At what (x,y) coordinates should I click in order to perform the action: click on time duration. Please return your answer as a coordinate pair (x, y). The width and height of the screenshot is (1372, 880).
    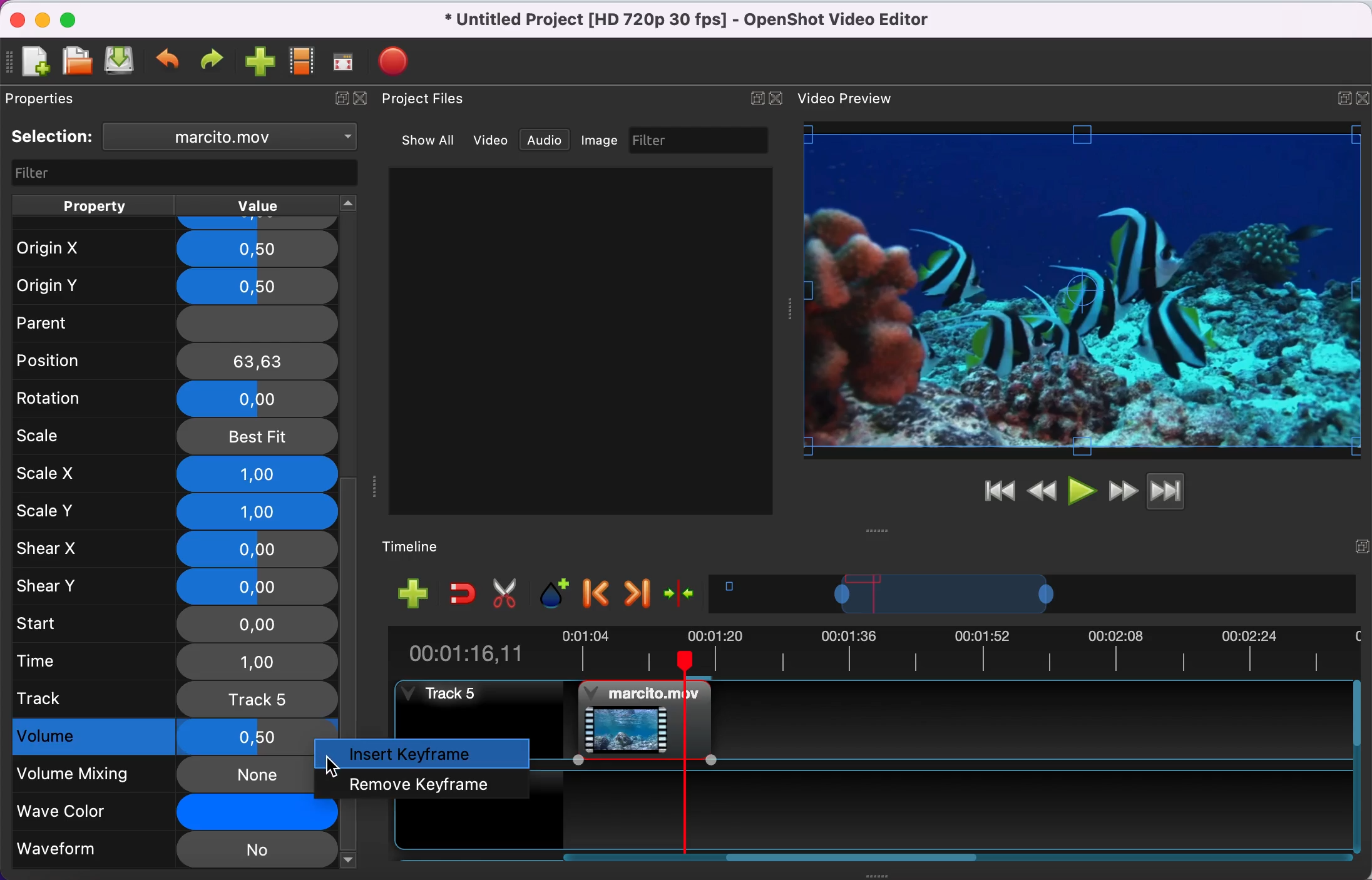
    Looking at the image, I should click on (871, 652).